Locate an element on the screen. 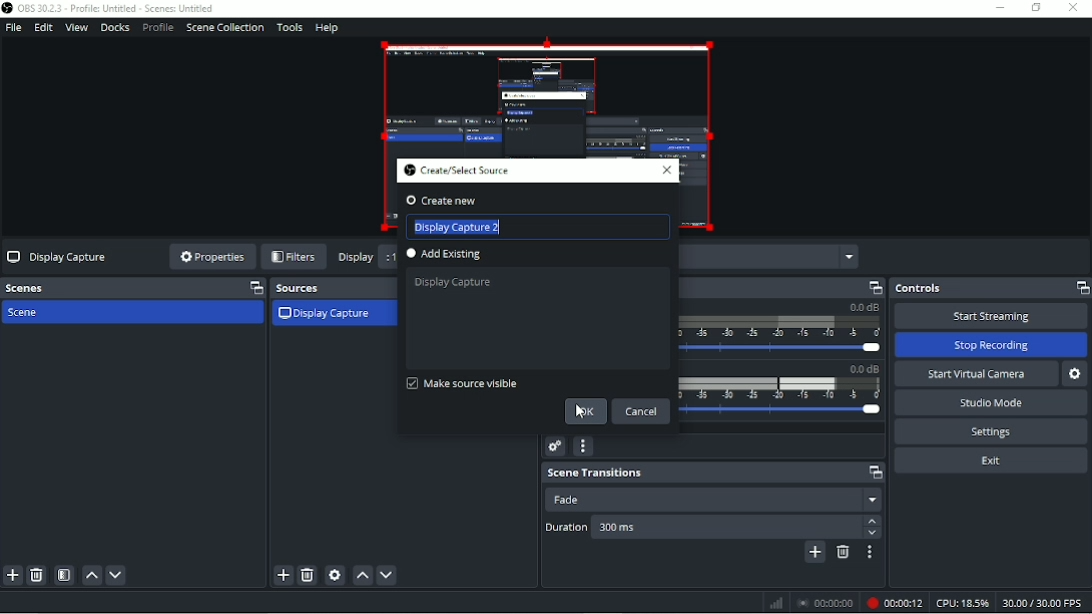  Move source(s) up is located at coordinates (362, 575).